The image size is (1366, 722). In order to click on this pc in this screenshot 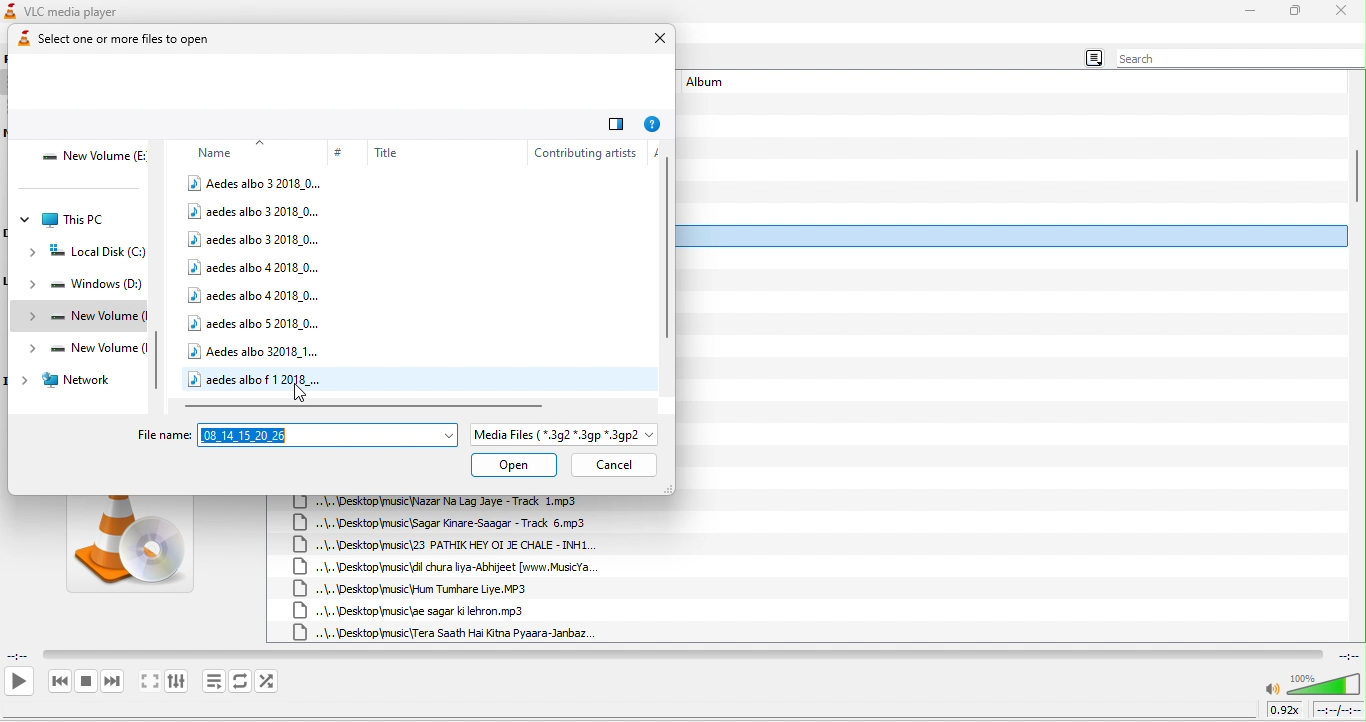, I will do `click(65, 220)`.